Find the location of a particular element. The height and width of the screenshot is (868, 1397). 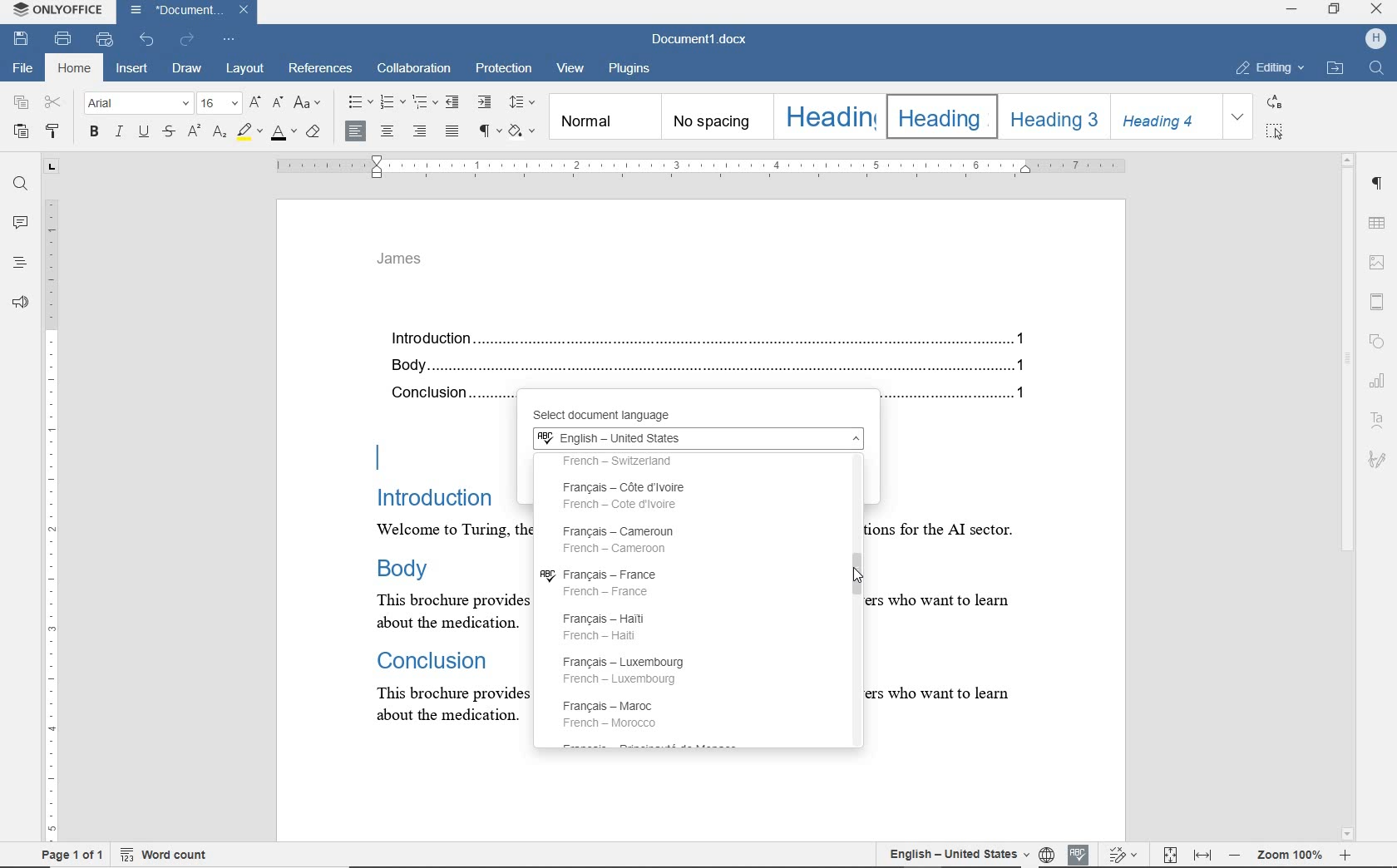

bullets is located at coordinates (359, 102).